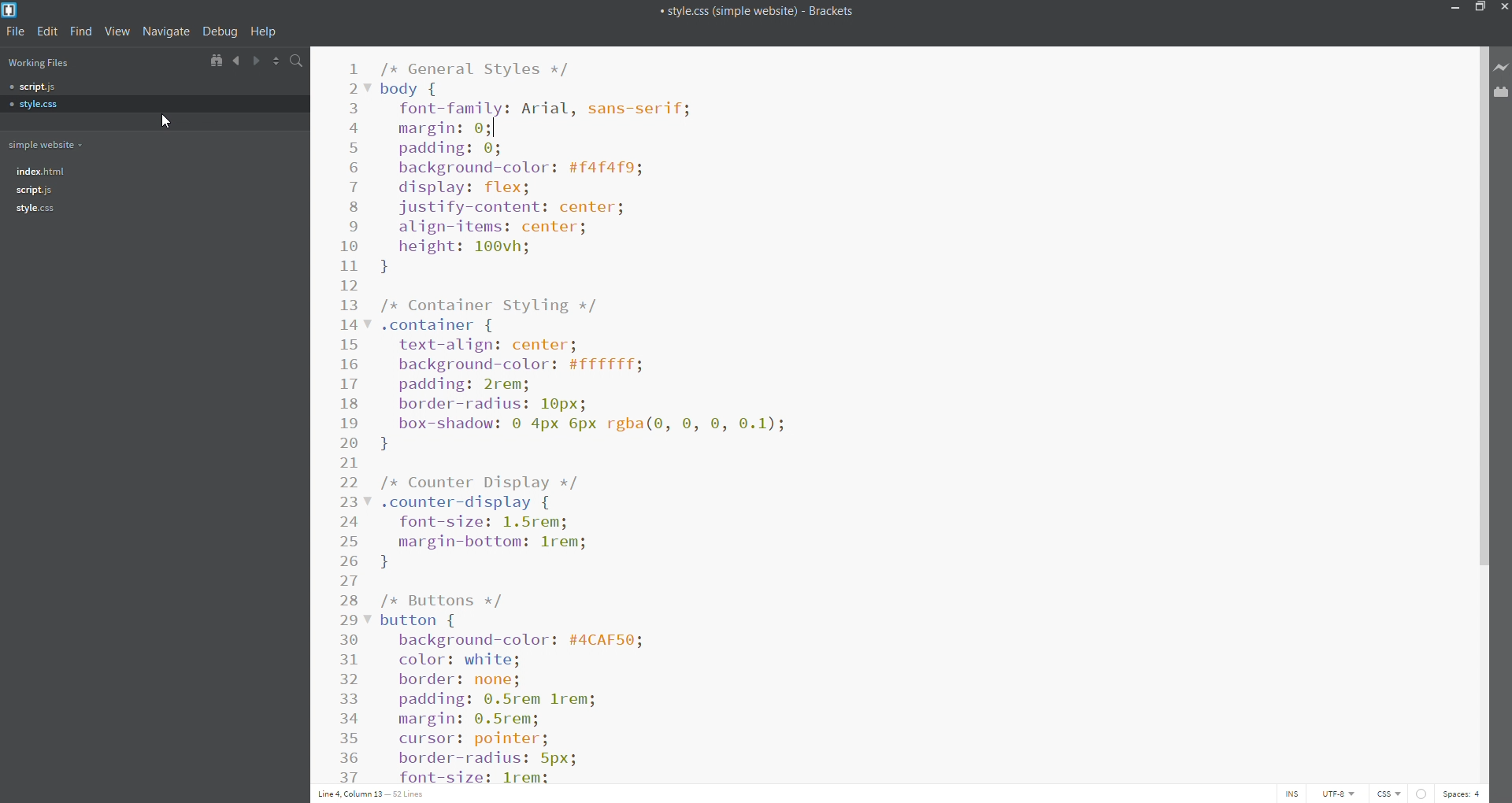 The image size is (1512, 803). What do you see at coordinates (235, 61) in the screenshot?
I see `navigate backward` at bounding box center [235, 61].